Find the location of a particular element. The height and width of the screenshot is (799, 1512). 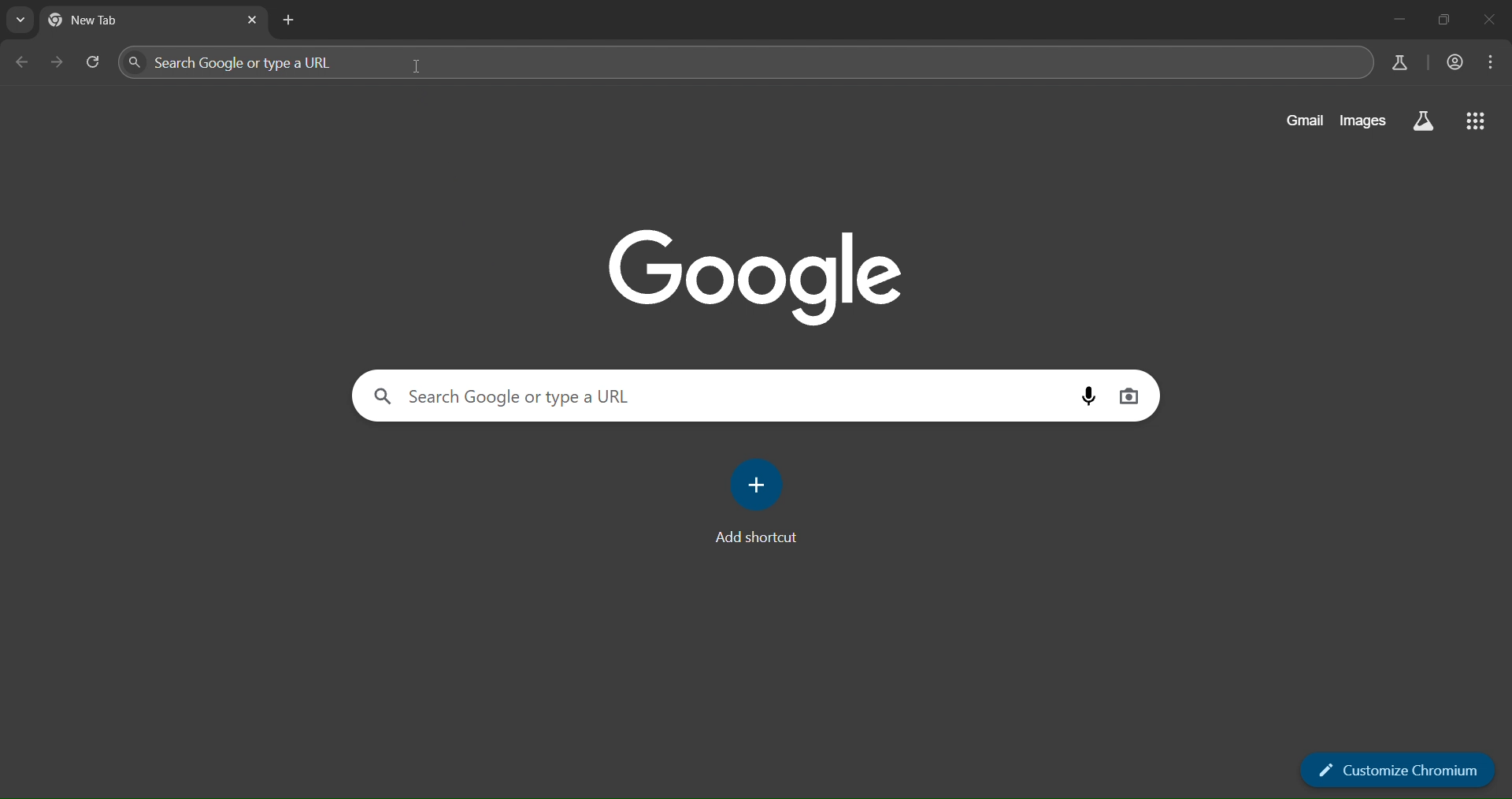

reload page is located at coordinates (98, 63).